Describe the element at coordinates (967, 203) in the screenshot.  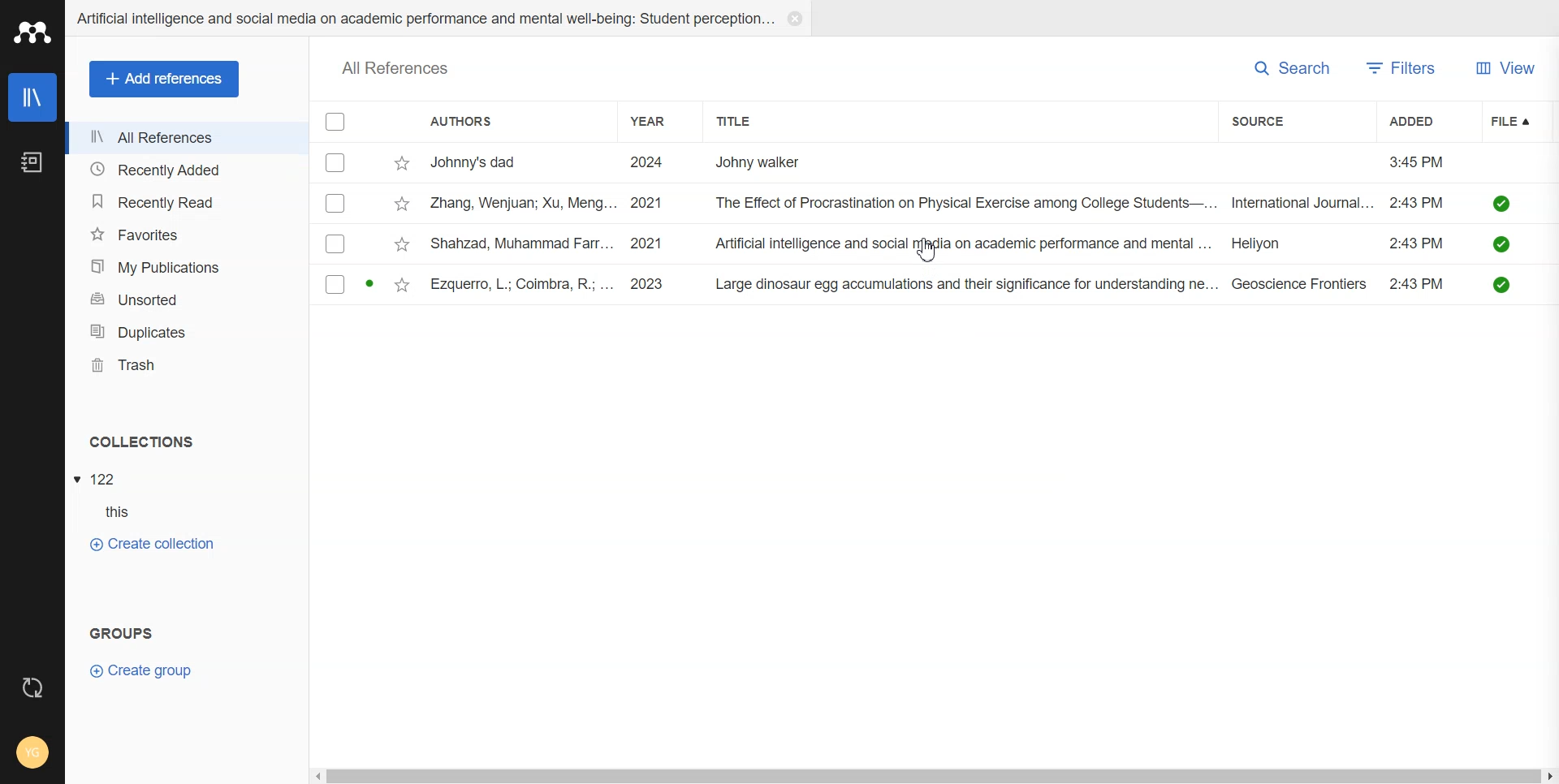
I see `the effect of procrastination on physical exercise among college students-...` at that location.